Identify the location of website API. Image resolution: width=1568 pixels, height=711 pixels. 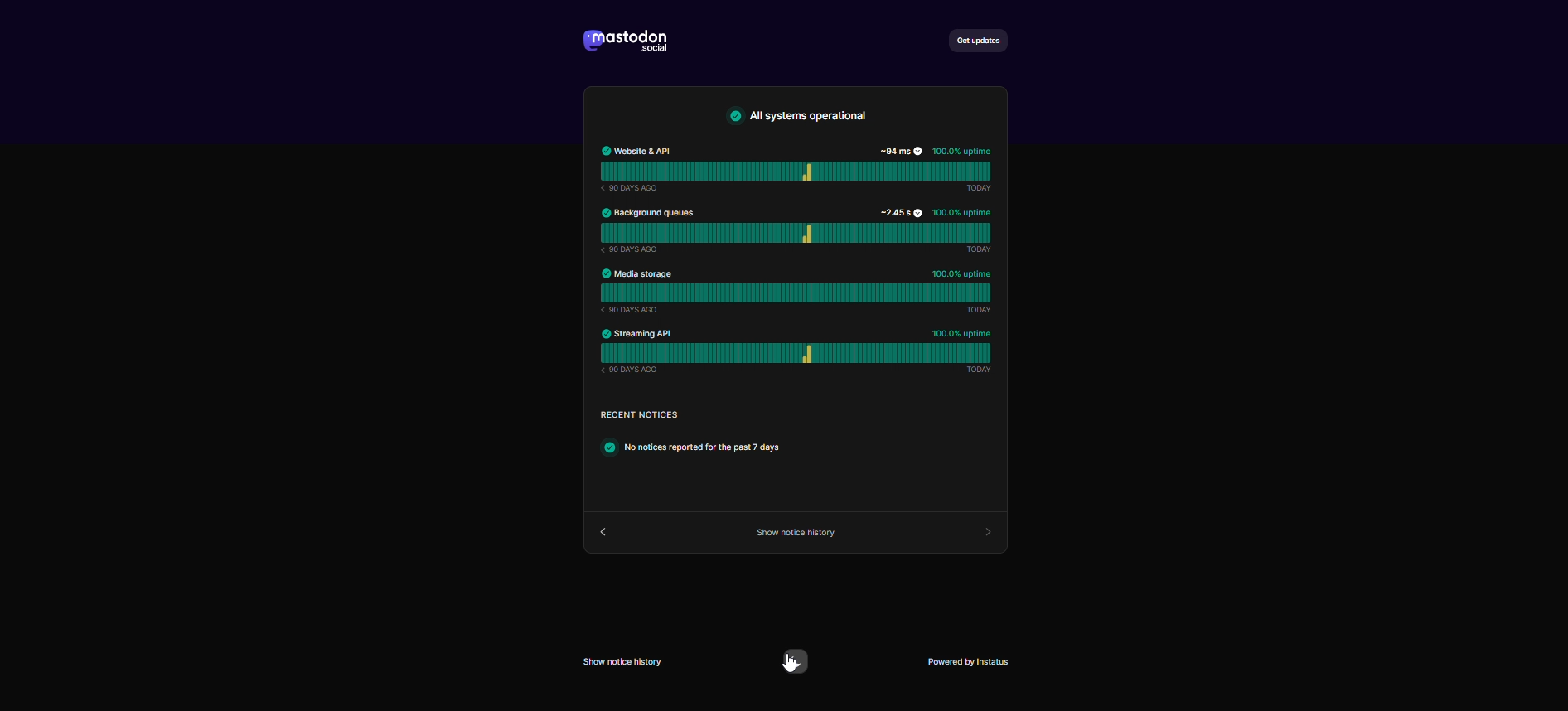
(797, 166).